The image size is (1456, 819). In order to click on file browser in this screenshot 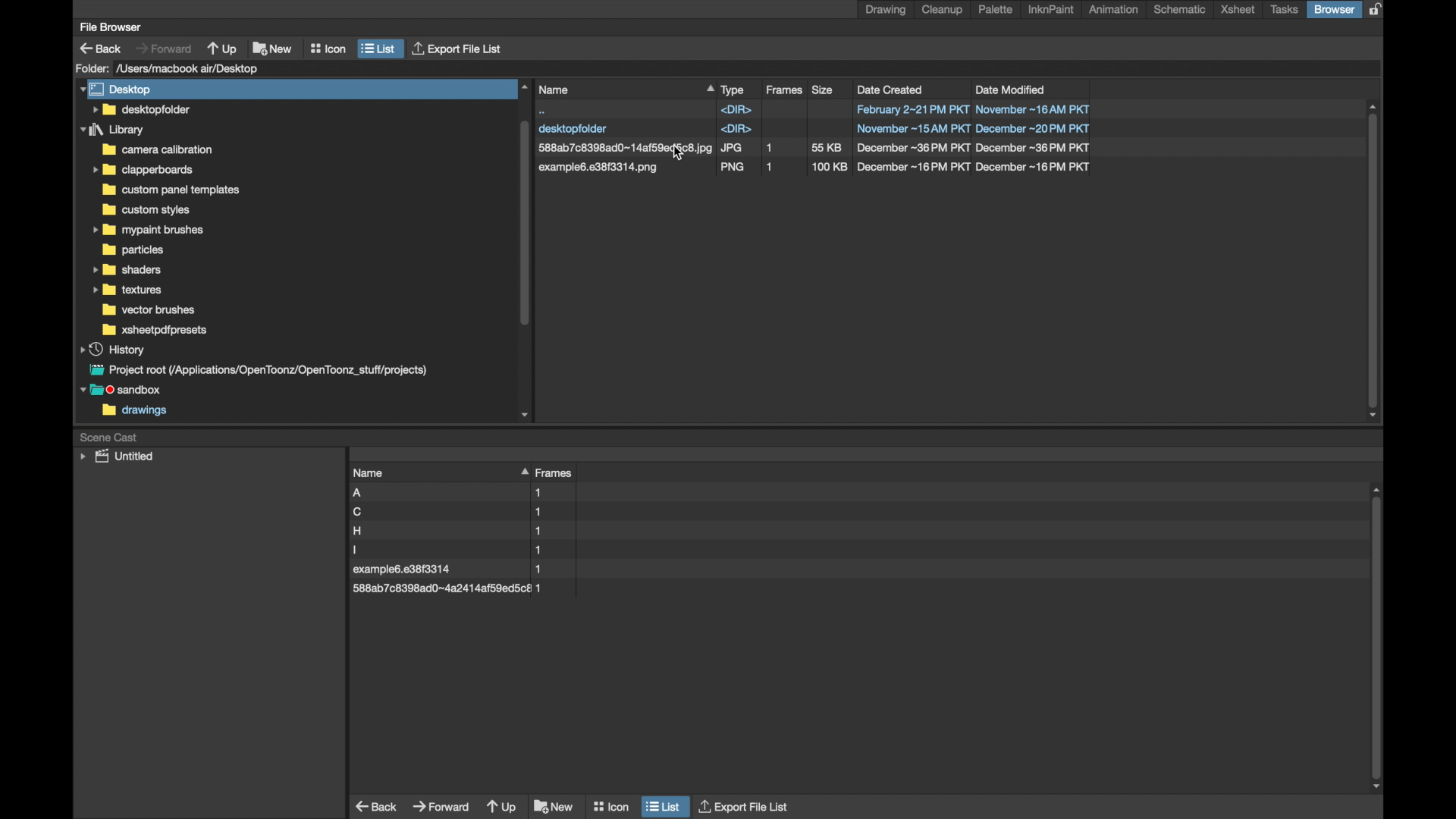, I will do `click(110, 27)`.